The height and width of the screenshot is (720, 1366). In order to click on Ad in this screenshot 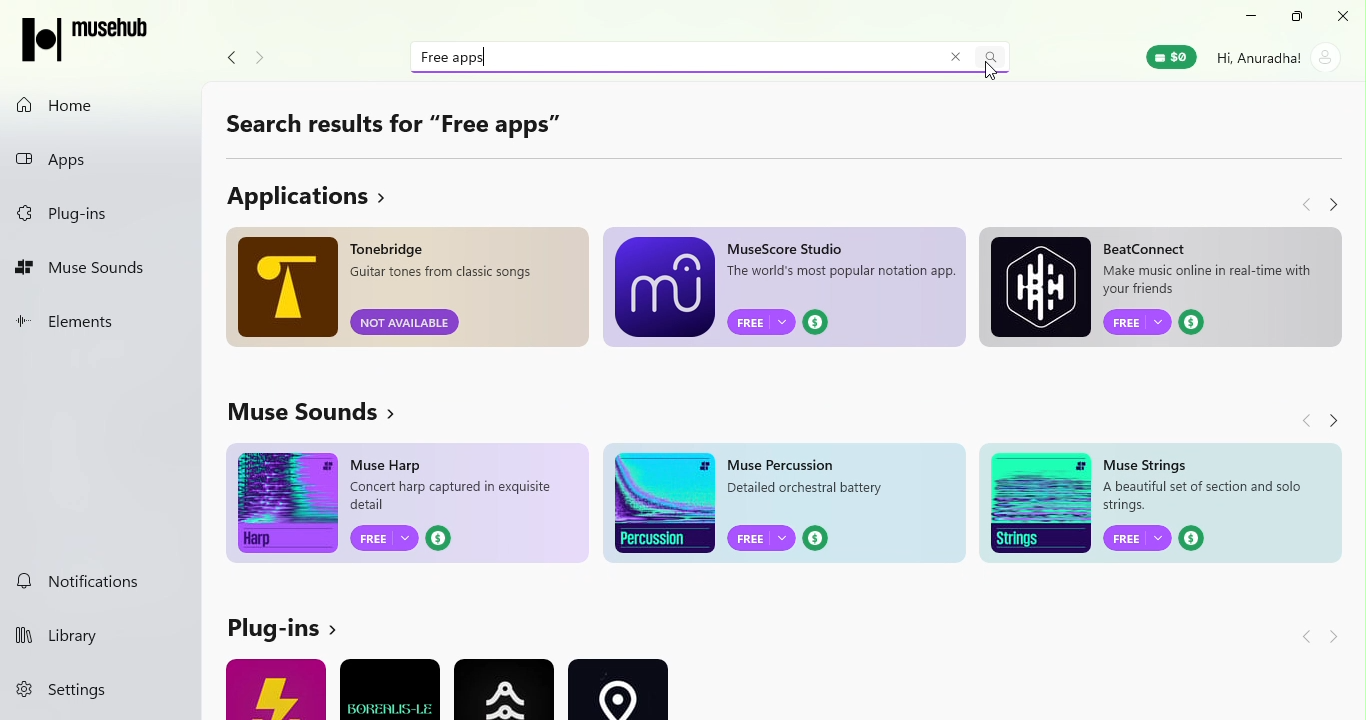, I will do `click(506, 687)`.